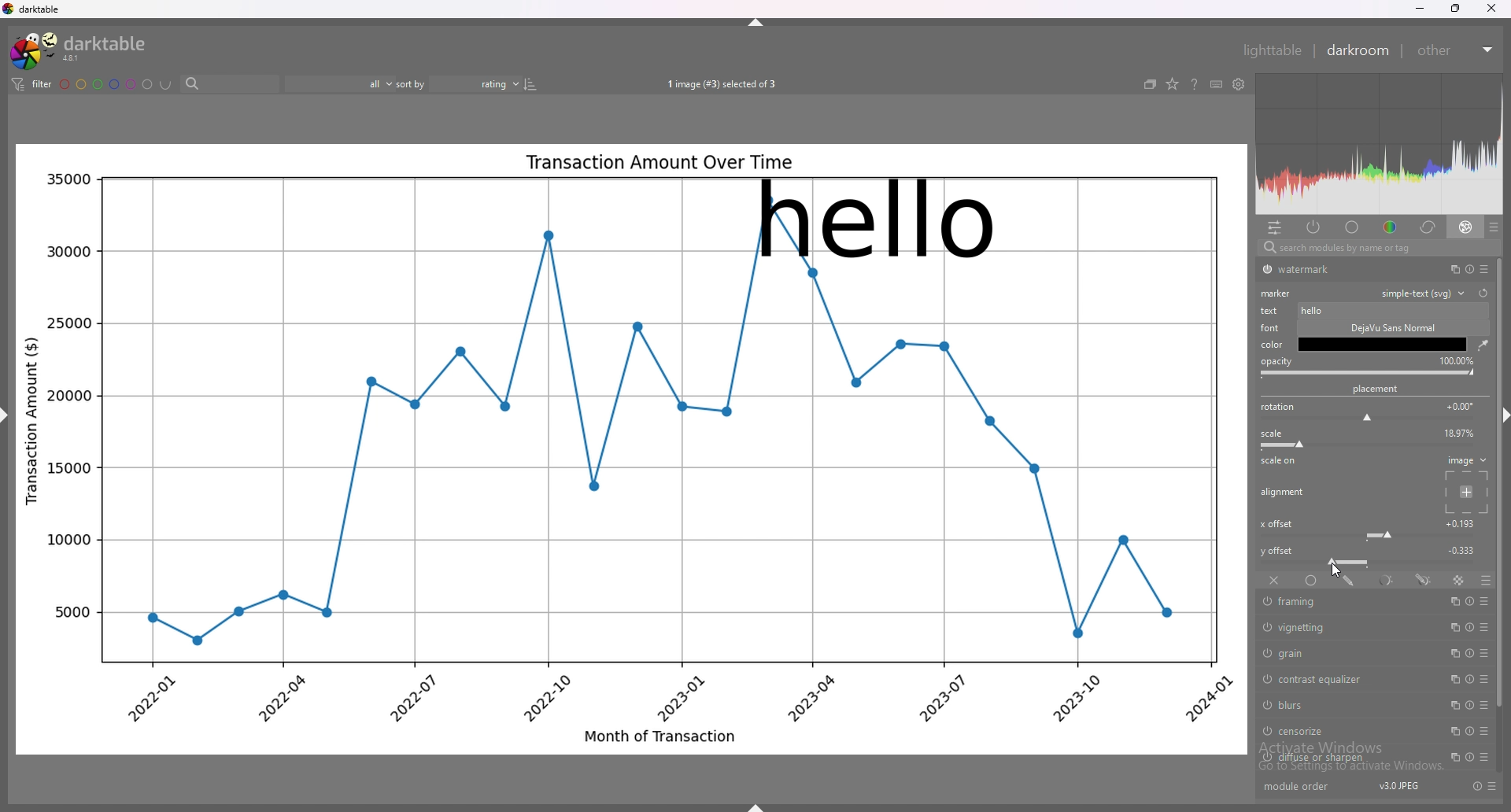 Image resolution: width=1511 pixels, height=812 pixels. What do you see at coordinates (1345, 758) in the screenshot?
I see `diffuse or sharpen` at bounding box center [1345, 758].